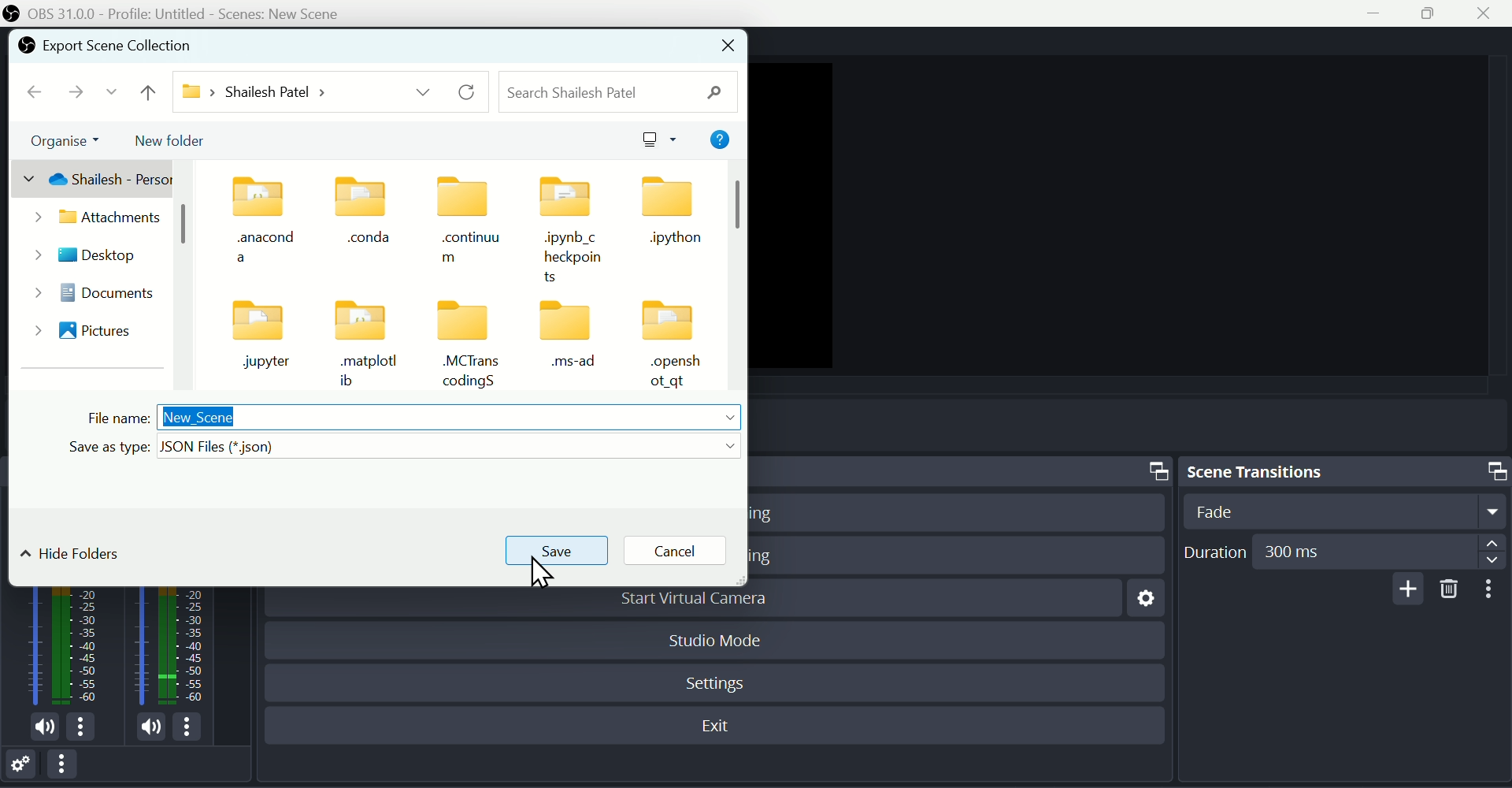 The width and height of the screenshot is (1512, 788). Describe the element at coordinates (707, 603) in the screenshot. I see `start virtual camera` at that location.